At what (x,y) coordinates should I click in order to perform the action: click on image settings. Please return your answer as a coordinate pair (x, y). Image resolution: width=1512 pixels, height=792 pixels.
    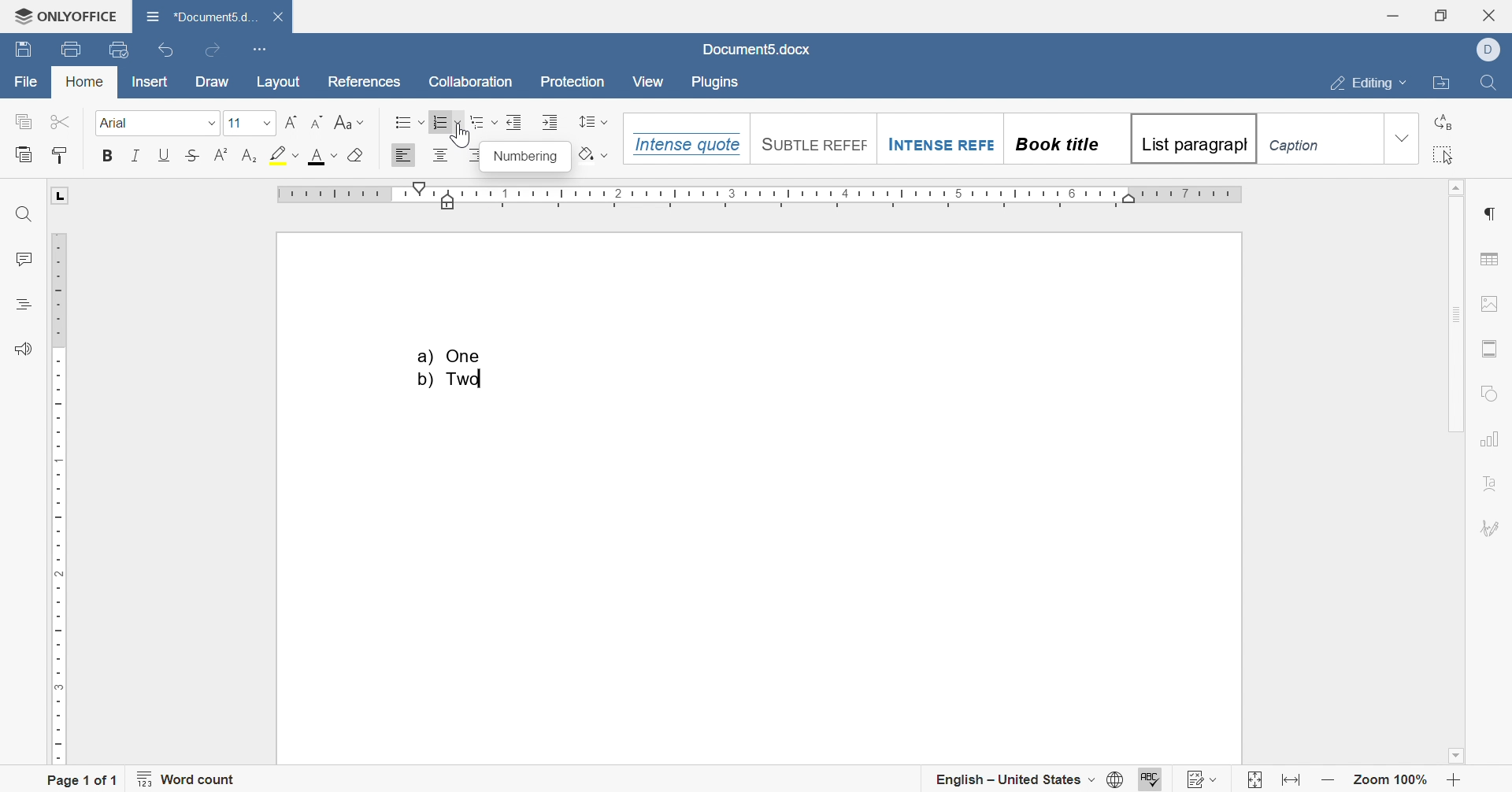
    Looking at the image, I should click on (1492, 304).